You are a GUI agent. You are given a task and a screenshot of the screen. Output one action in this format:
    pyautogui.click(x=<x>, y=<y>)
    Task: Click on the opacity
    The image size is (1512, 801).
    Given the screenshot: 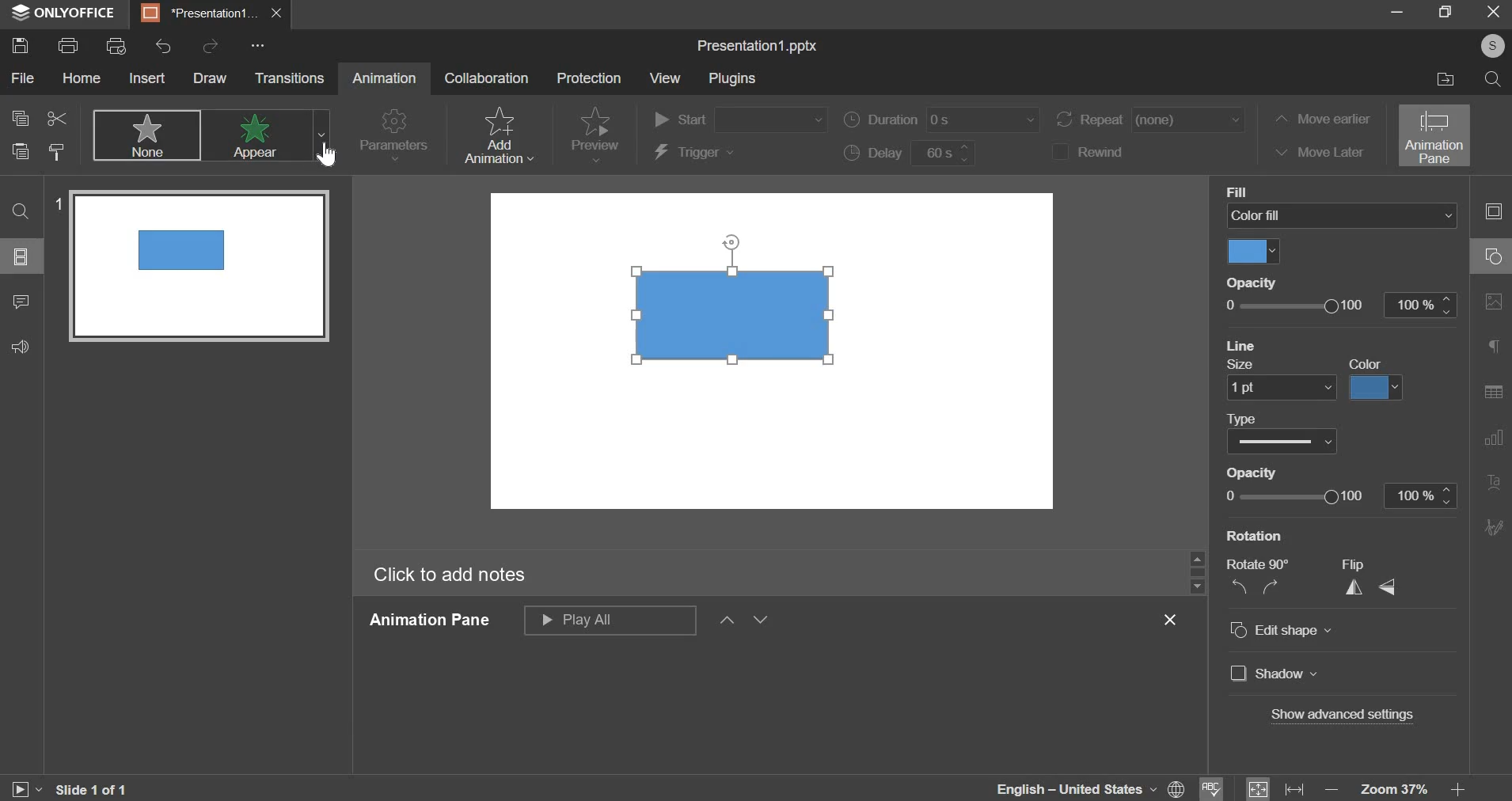 What is the action you would take?
    pyautogui.click(x=1295, y=496)
    